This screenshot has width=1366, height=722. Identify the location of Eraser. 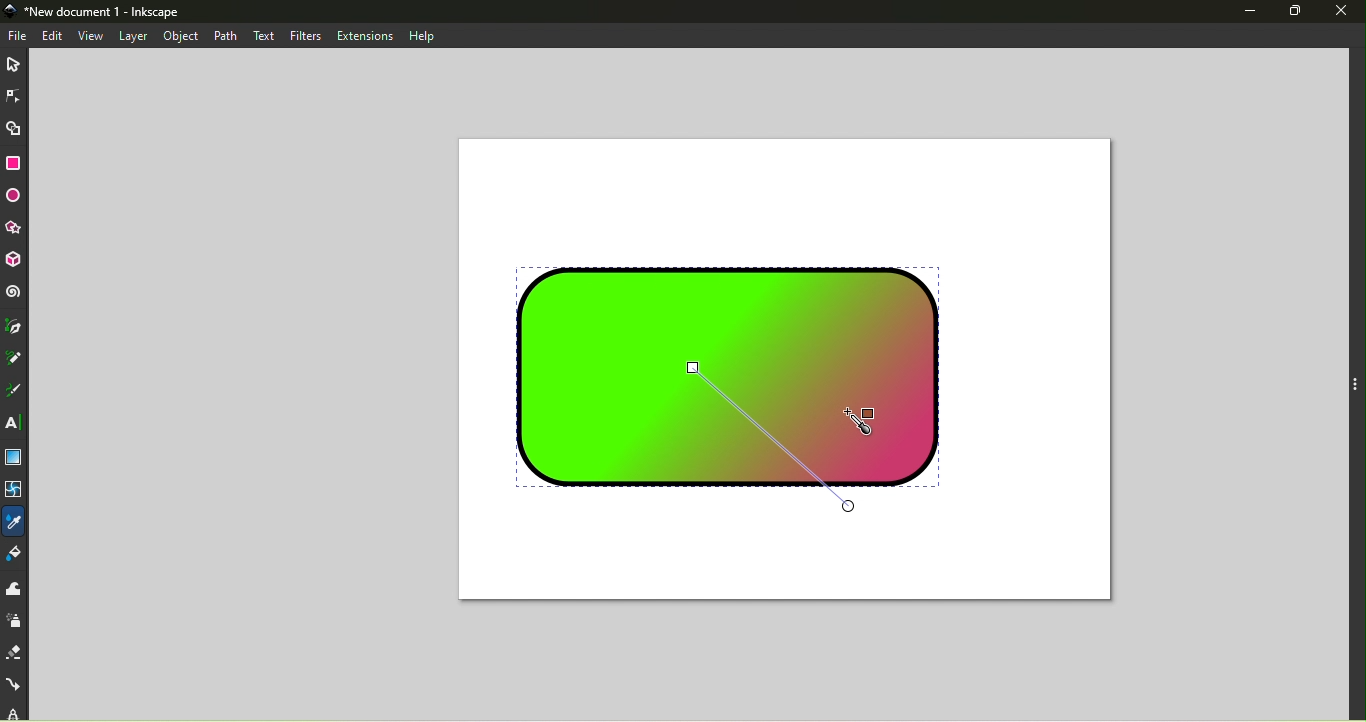
(15, 649).